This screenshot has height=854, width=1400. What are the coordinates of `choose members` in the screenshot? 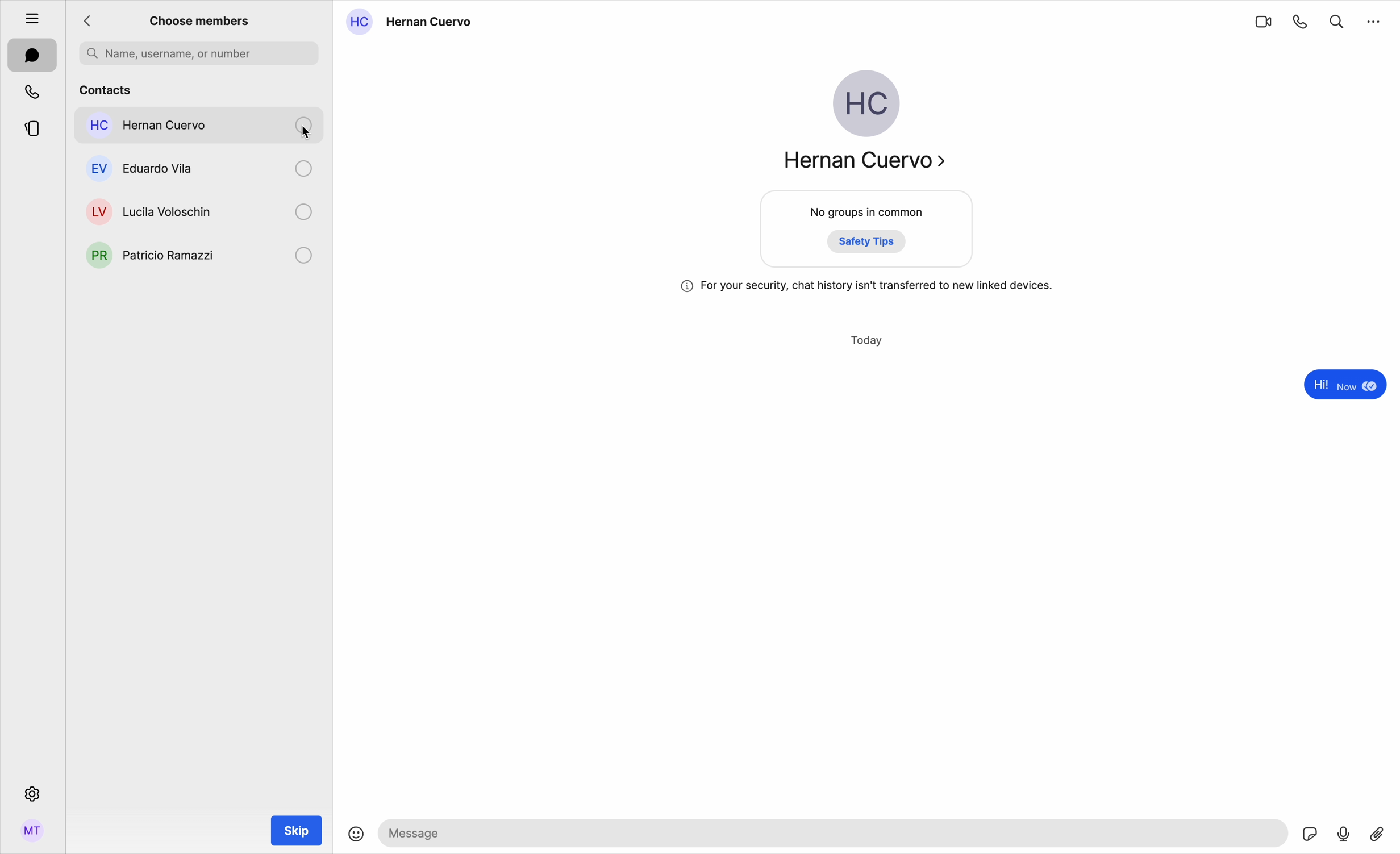 It's located at (200, 20).